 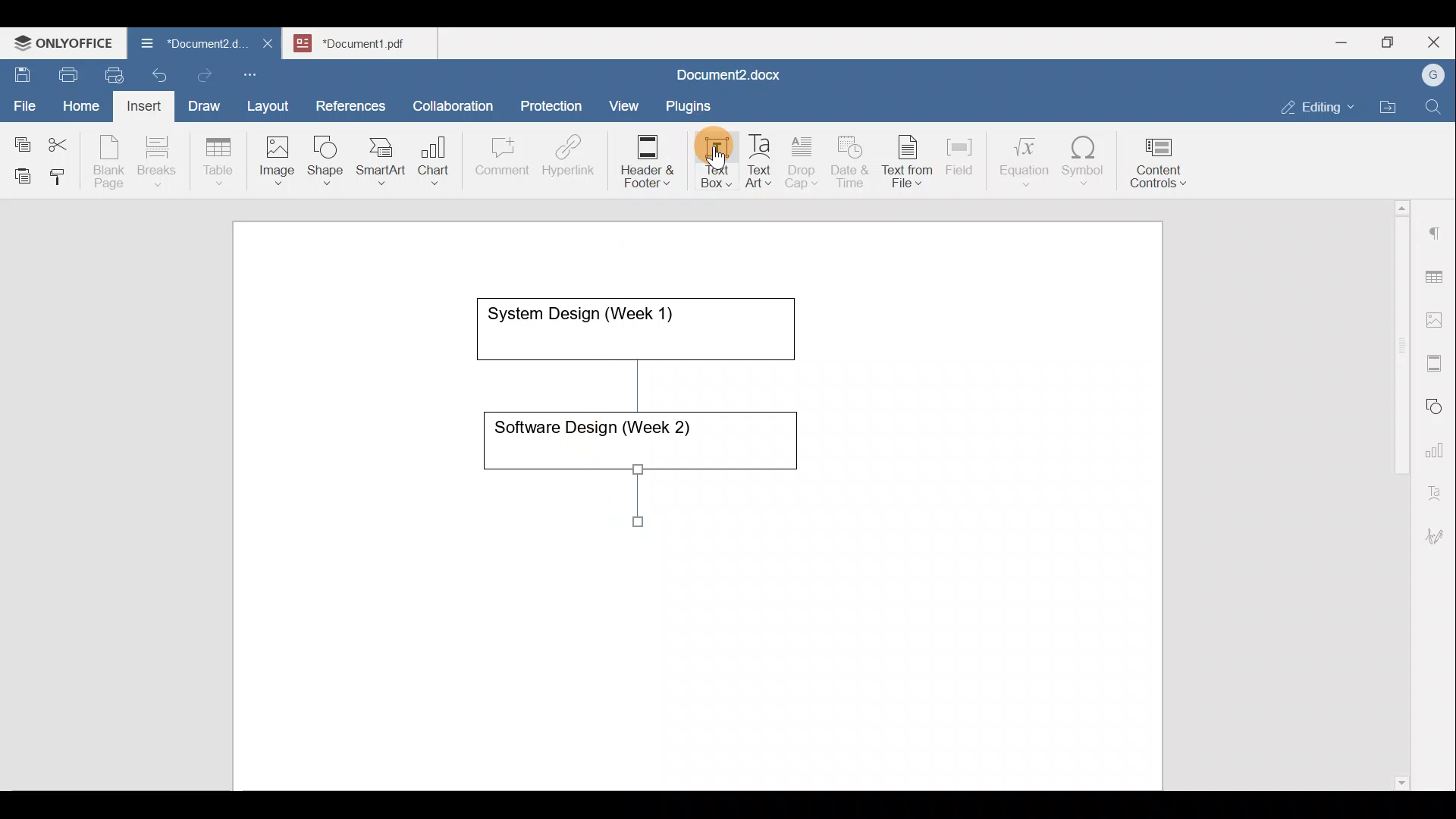 What do you see at coordinates (1438, 444) in the screenshot?
I see `Chart settings` at bounding box center [1438, 444].